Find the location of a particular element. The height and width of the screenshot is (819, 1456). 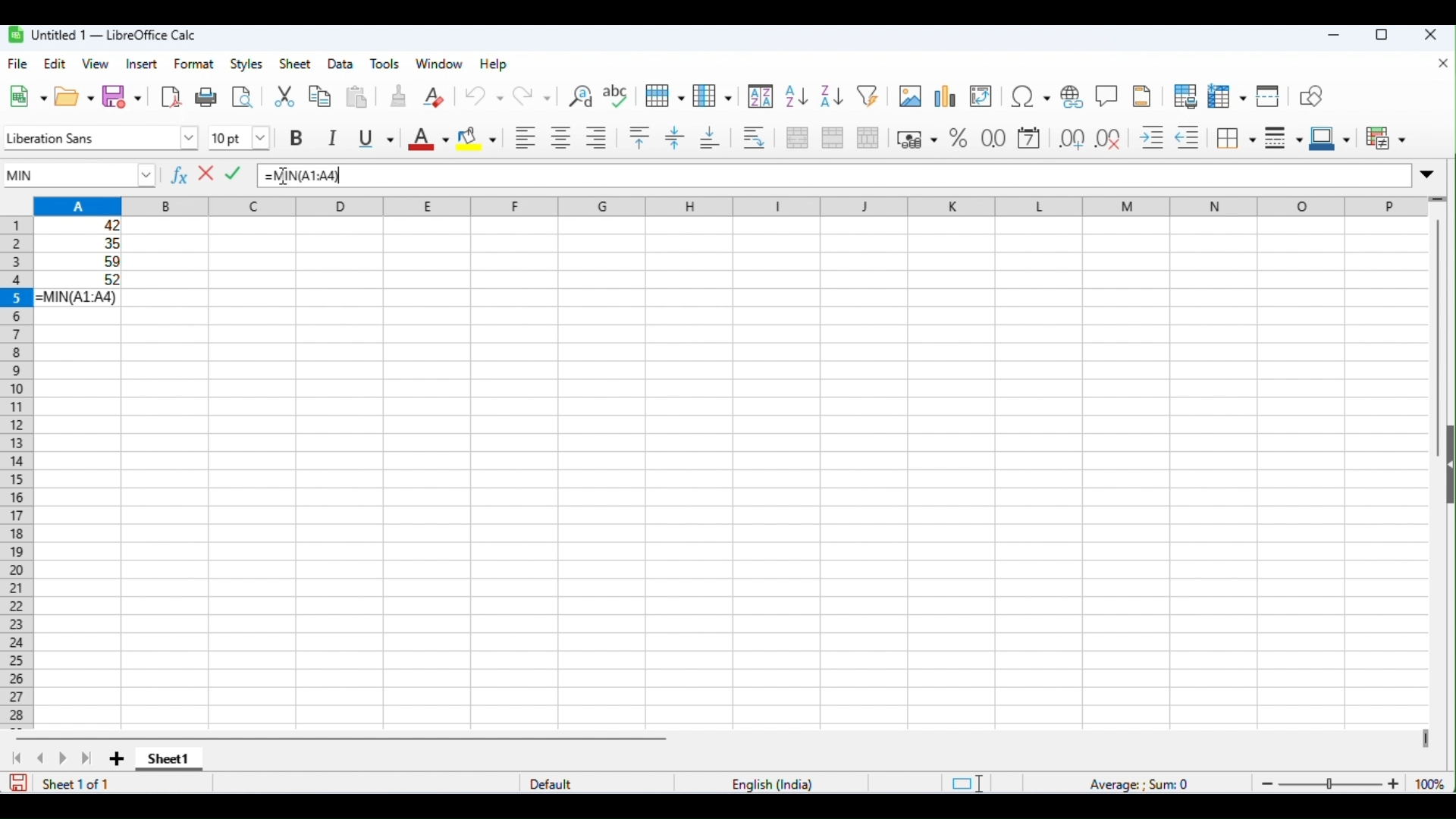

language is located at coordinates (773, 784).